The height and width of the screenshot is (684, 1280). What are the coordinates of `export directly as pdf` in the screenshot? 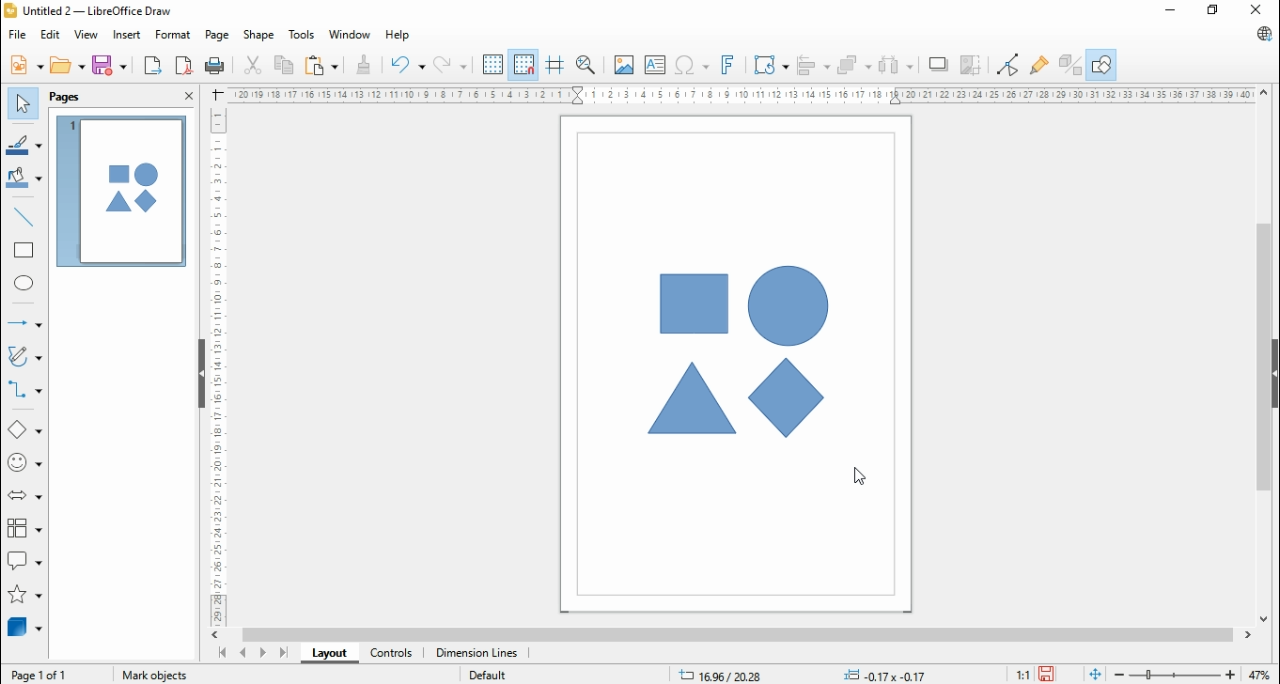 It's located at (183, 65).